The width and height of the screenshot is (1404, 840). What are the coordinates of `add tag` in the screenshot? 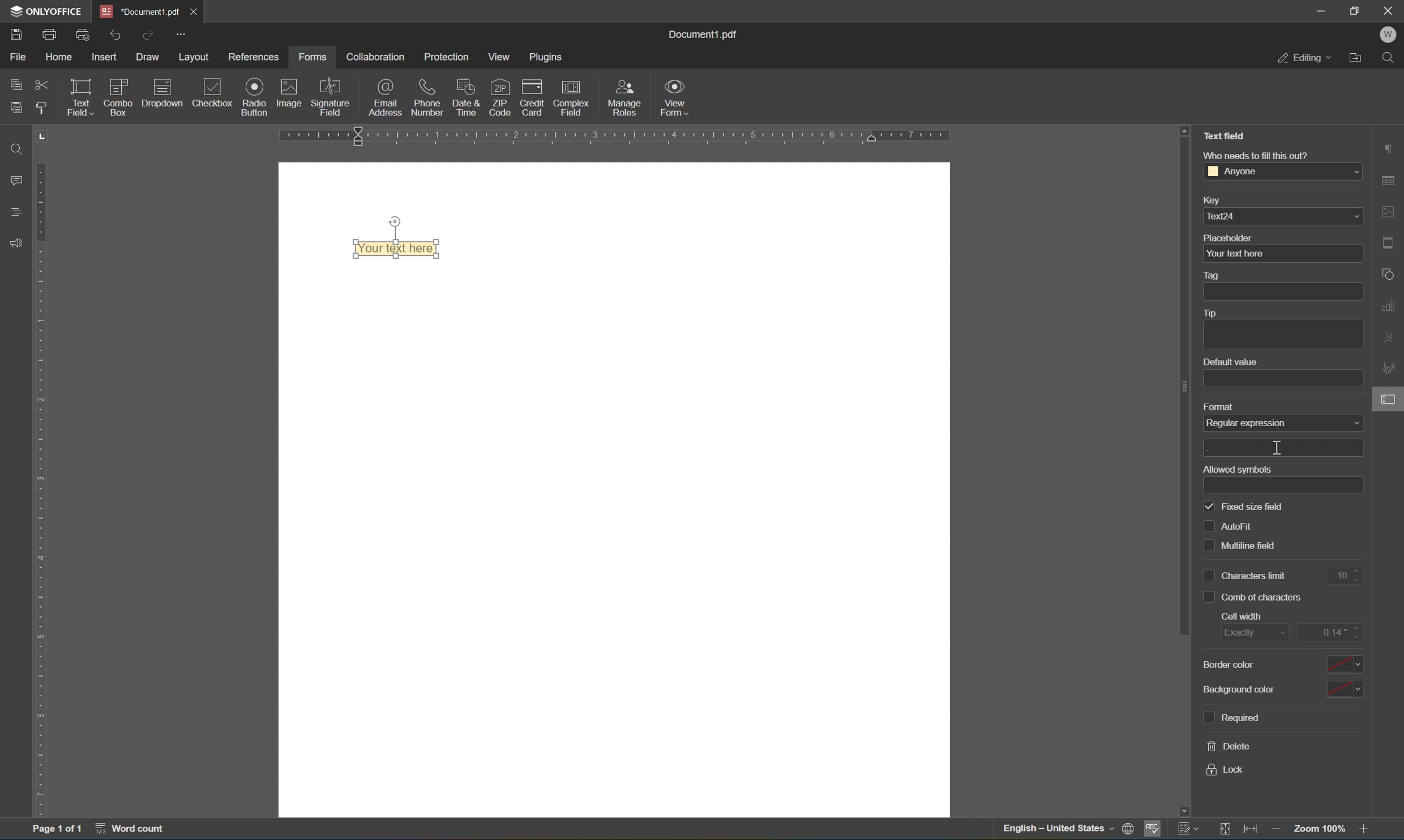 It's located at (1282, 292).